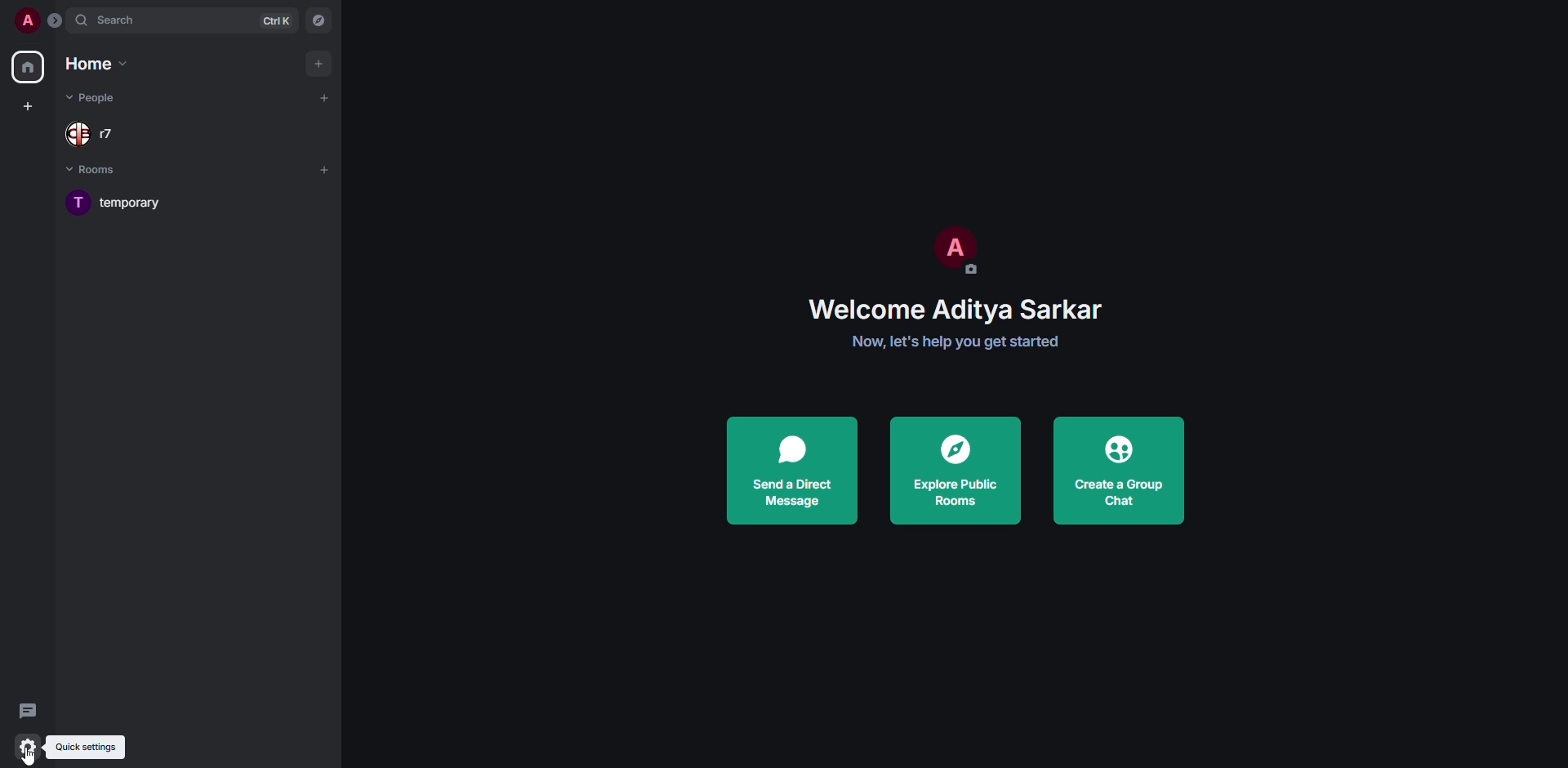 This screenshot has height=768, width=1568. Describe the element at coordinates (95, 136) in the screenshot. I see `people` at that location.